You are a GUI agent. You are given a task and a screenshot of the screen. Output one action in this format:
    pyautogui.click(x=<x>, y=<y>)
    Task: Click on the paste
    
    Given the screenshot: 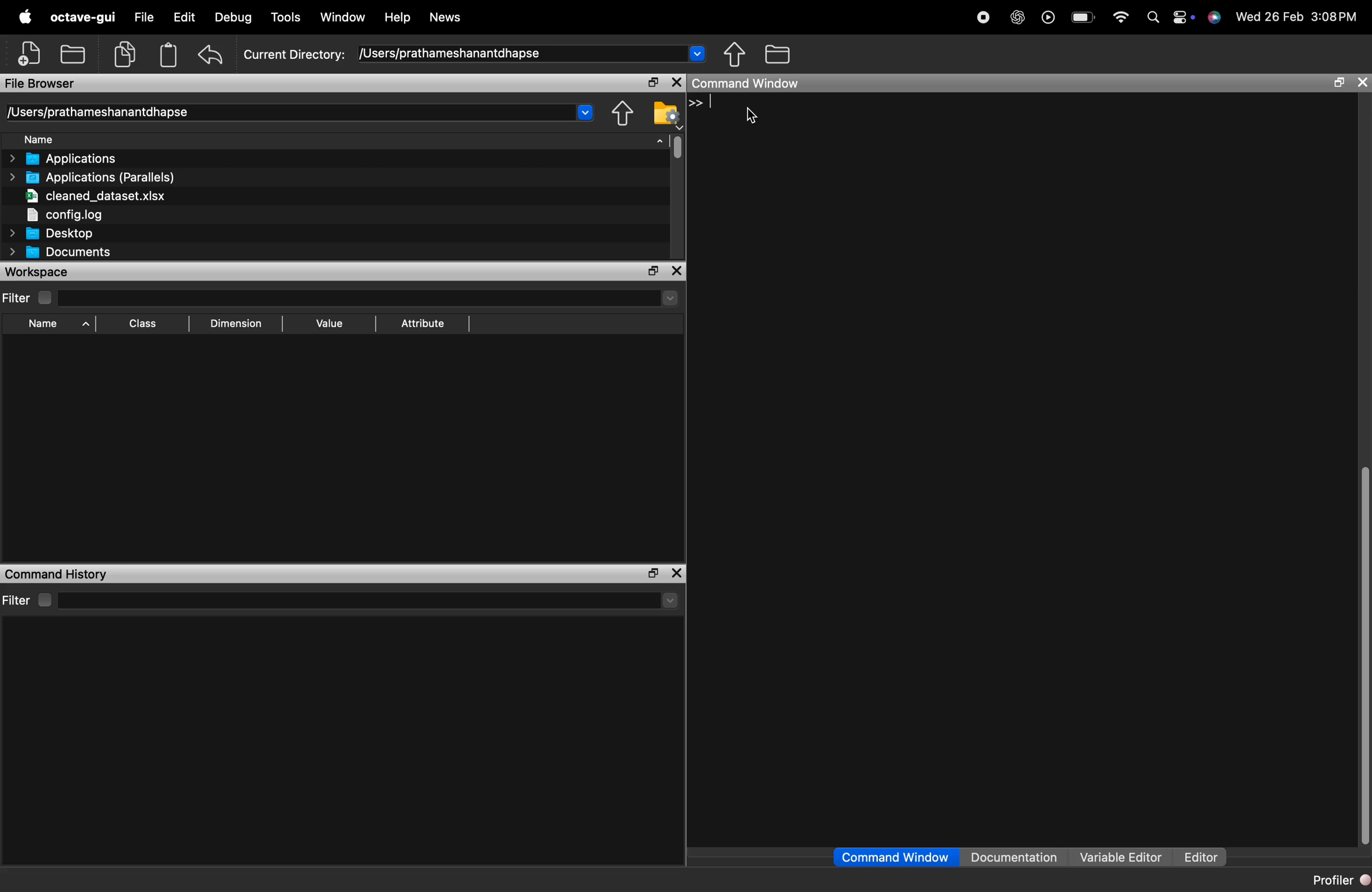 What is the action you would take?
    pyautogui.click(x=167, y=55)
    